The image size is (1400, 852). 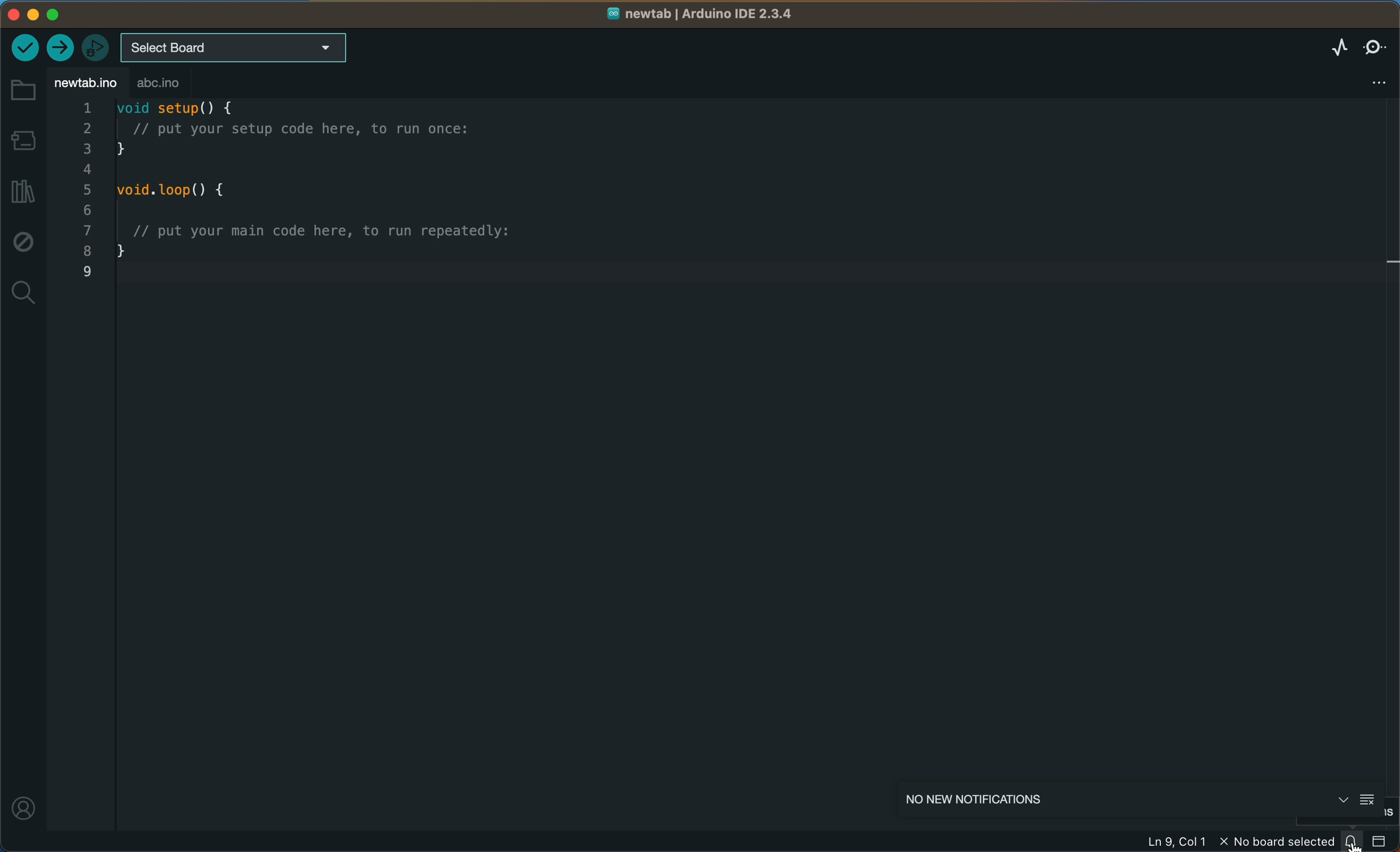 I want to click on board selecter, so click(x=235, y=48).